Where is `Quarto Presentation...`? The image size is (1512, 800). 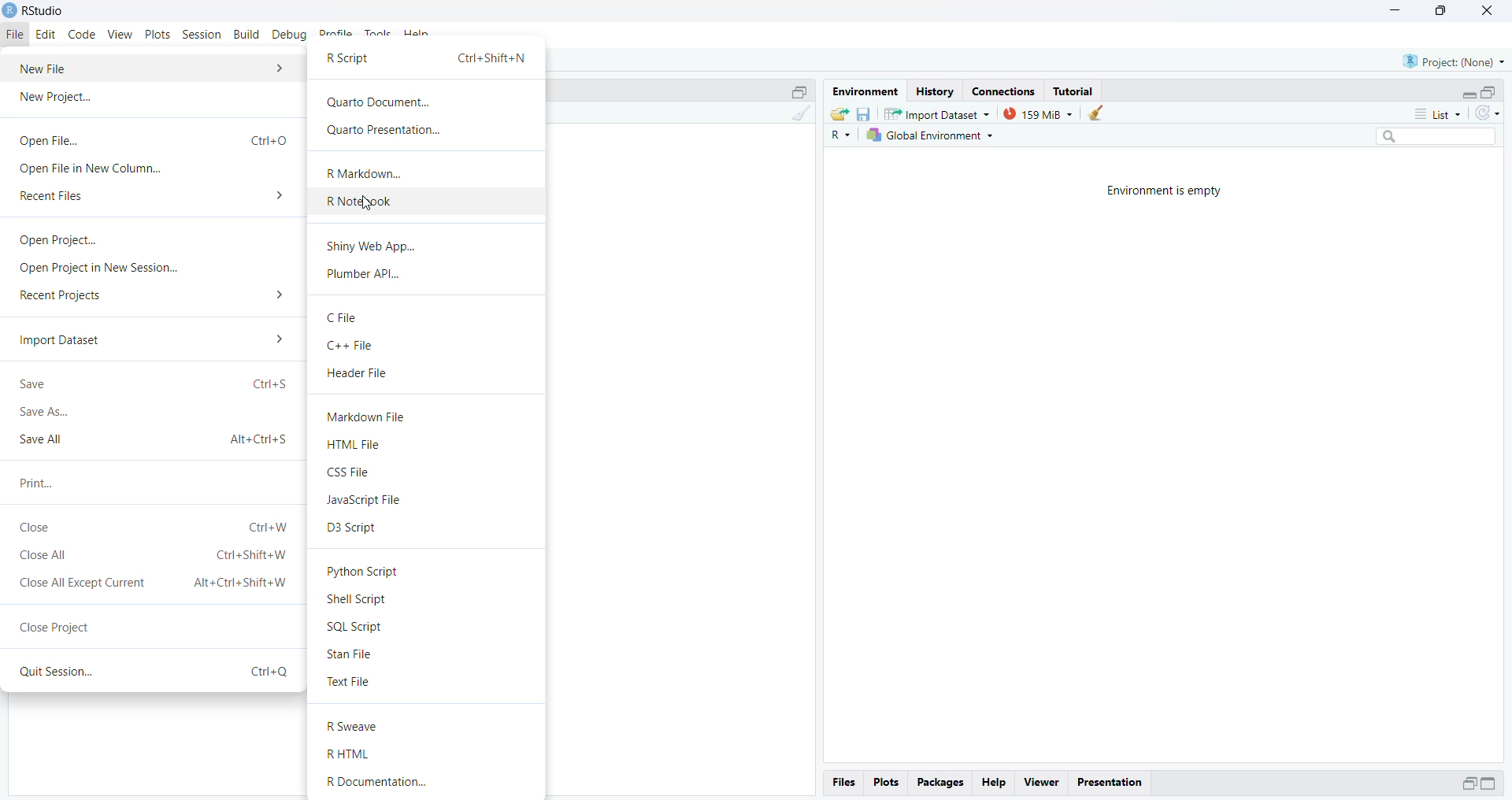 Quarto Presentation... is located at coordinates (382, 131).